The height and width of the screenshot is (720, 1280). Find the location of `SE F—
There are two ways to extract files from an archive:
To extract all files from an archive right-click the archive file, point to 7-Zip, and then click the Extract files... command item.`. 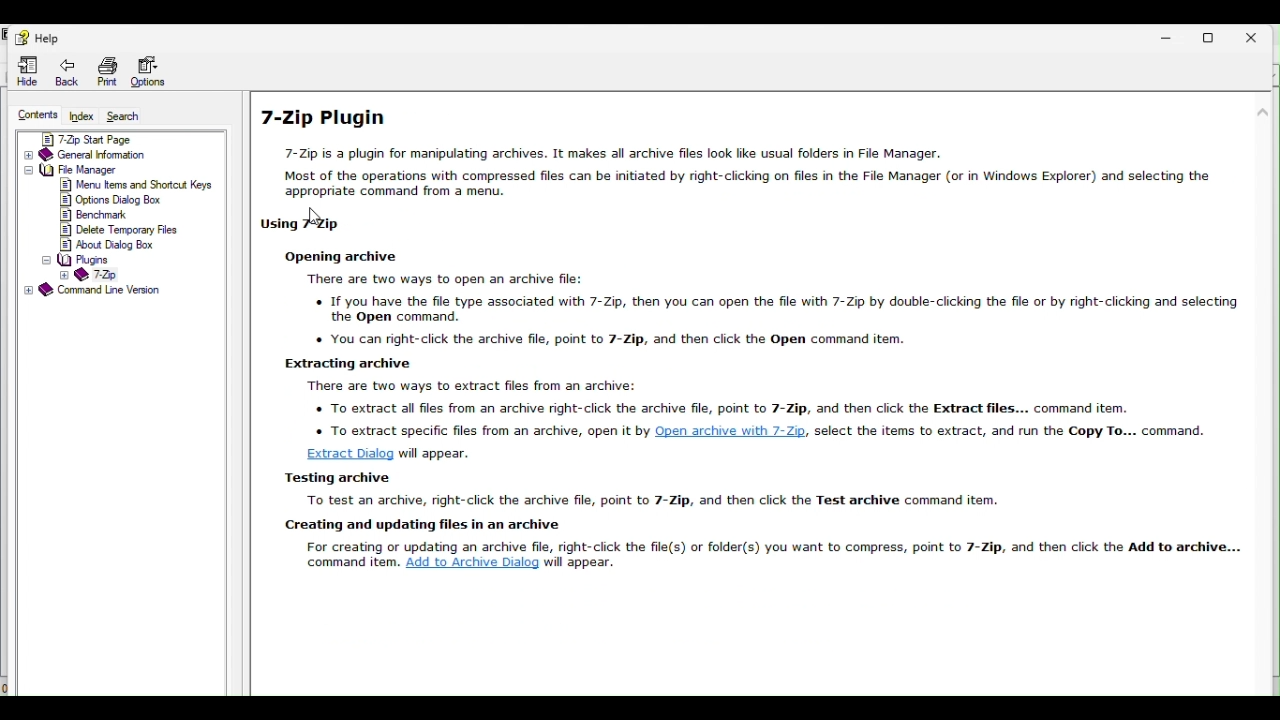

SE F—
There are two ways to extract files from an archive:
To extract all files from an archive right-click the archive file, point to 7-Zip, and then click the Extract files... command item. is located at coordinates (708, 386).